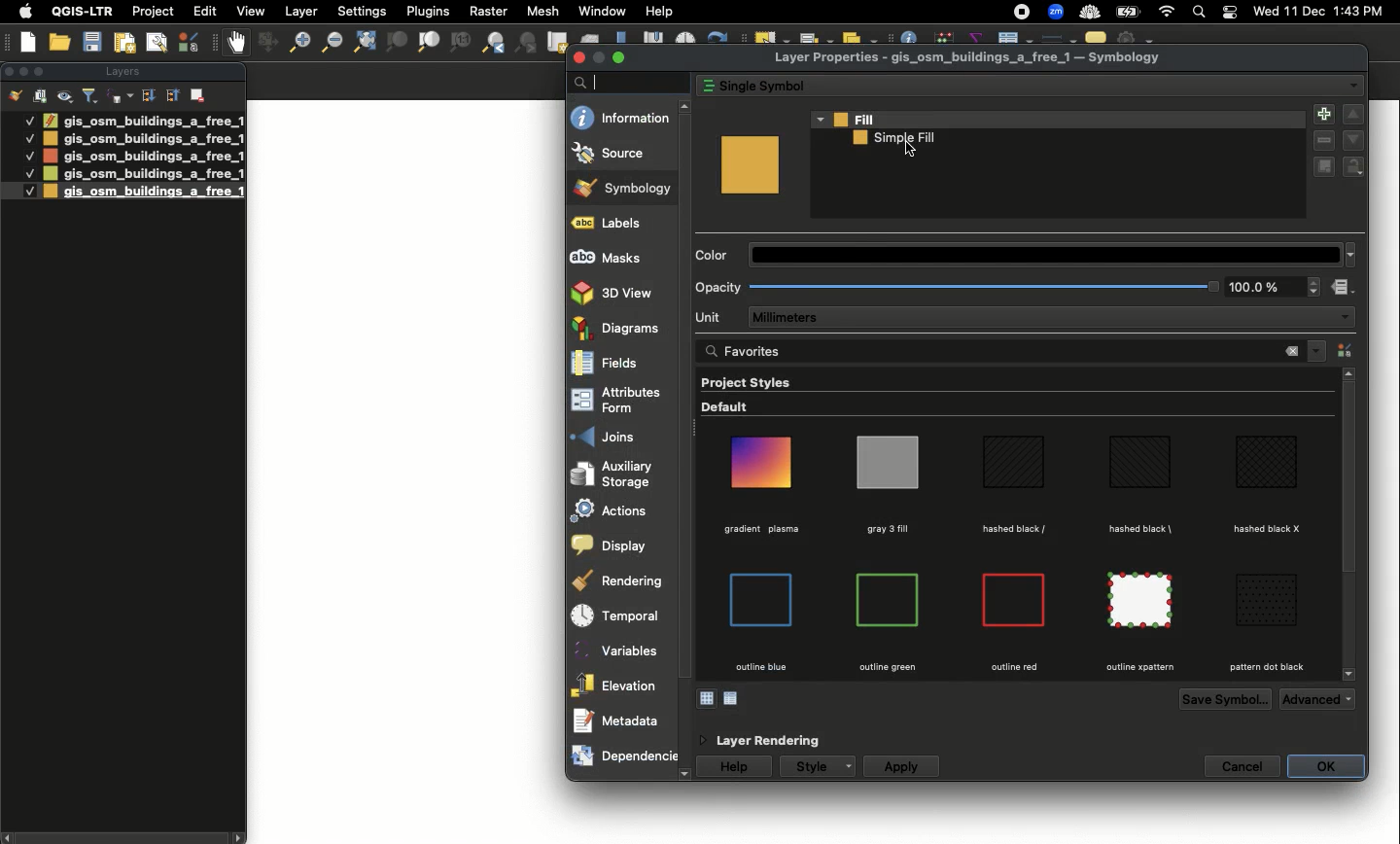 Image resolution: width=1400 pixels, height=844 pixels. I want to click on Checked, so click(28, 137).